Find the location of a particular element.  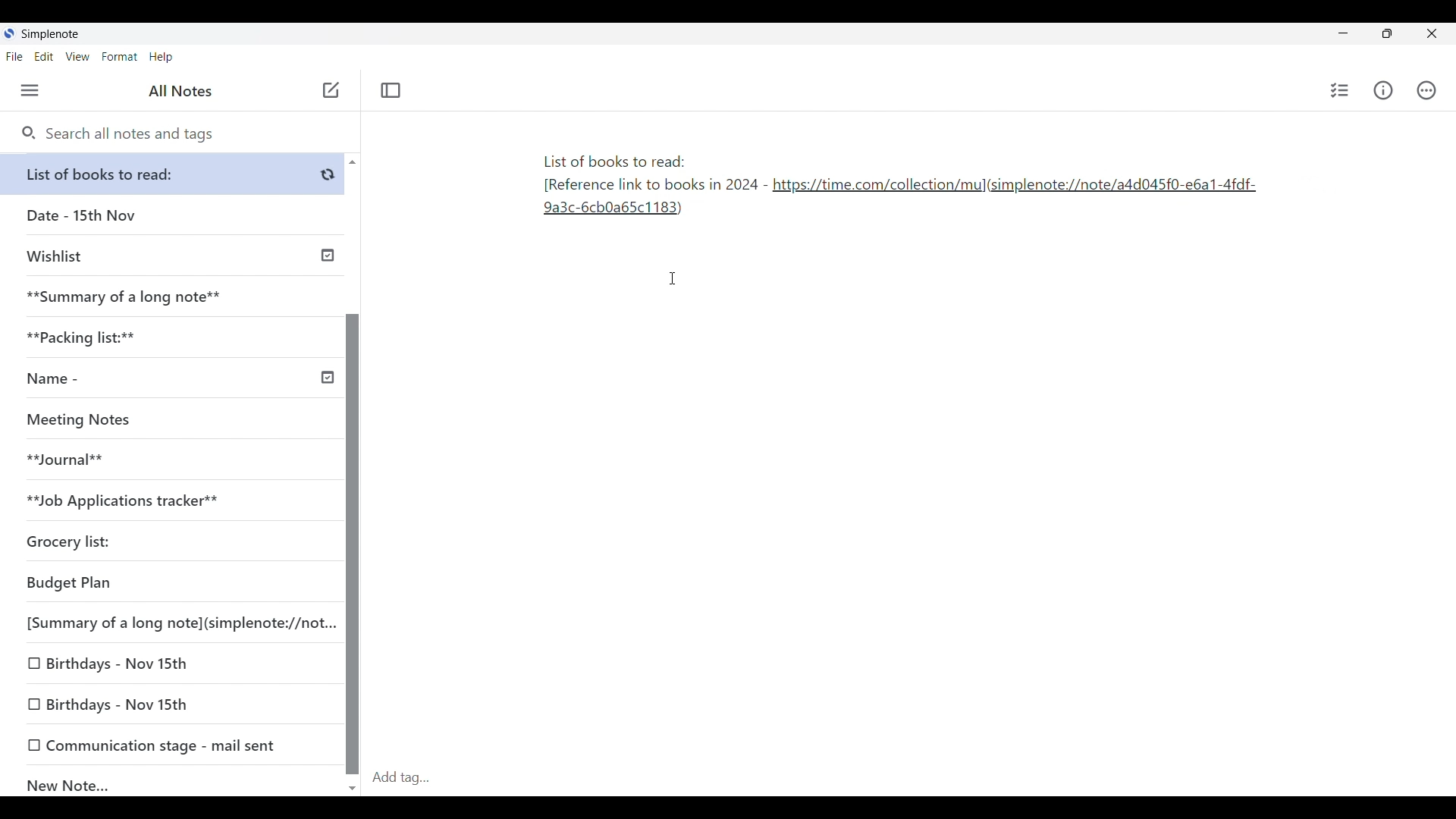

Search all notes and tags is located at coordinates (118, 134).